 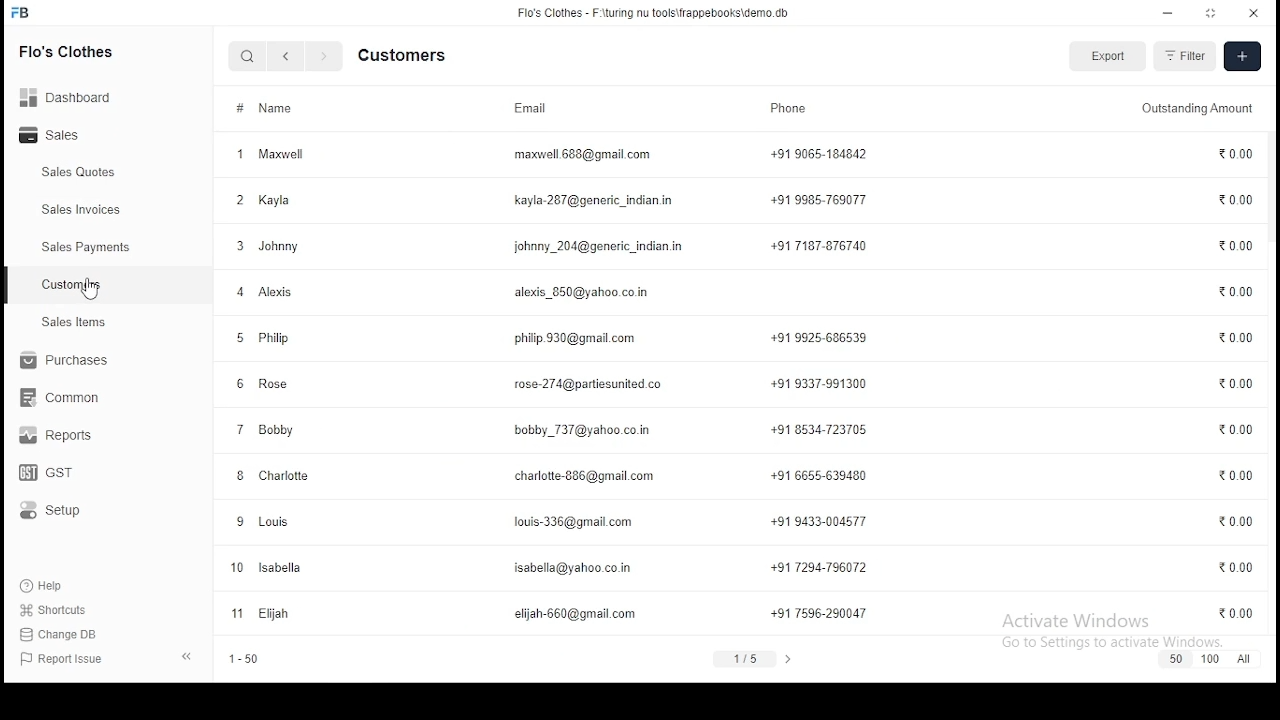 What do you see at coordinates (1231, 290) in the screenshot?
I see `0.00` at bounding box center [1231, 290].